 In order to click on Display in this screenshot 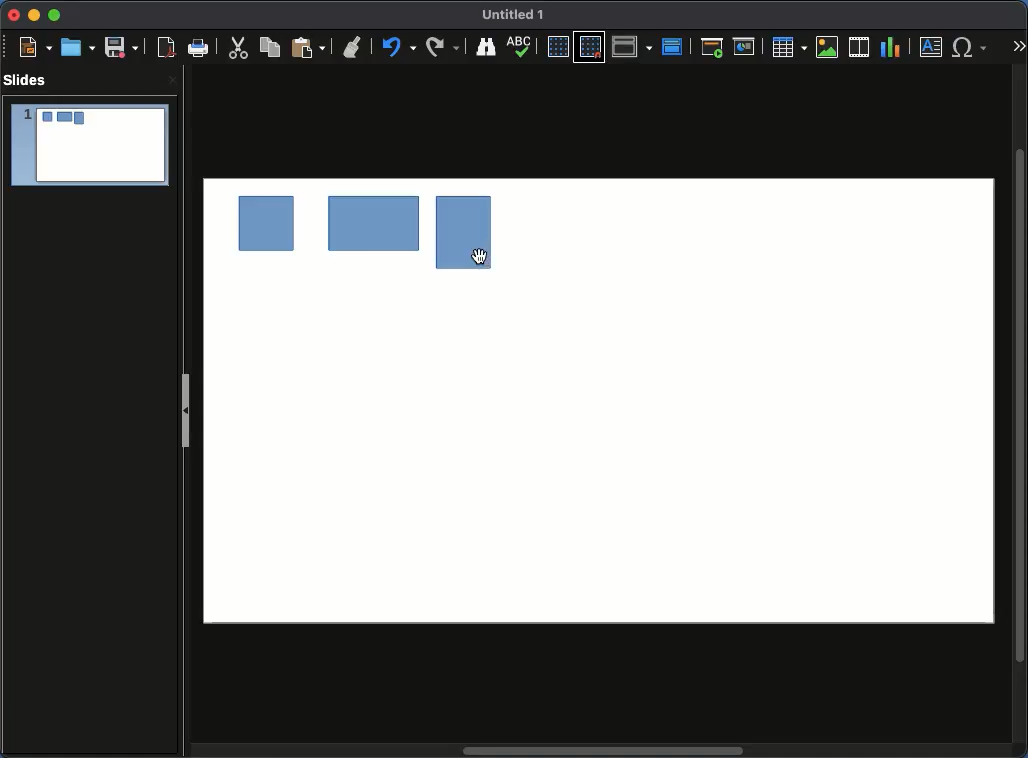, I will do `click(524, 48)`.